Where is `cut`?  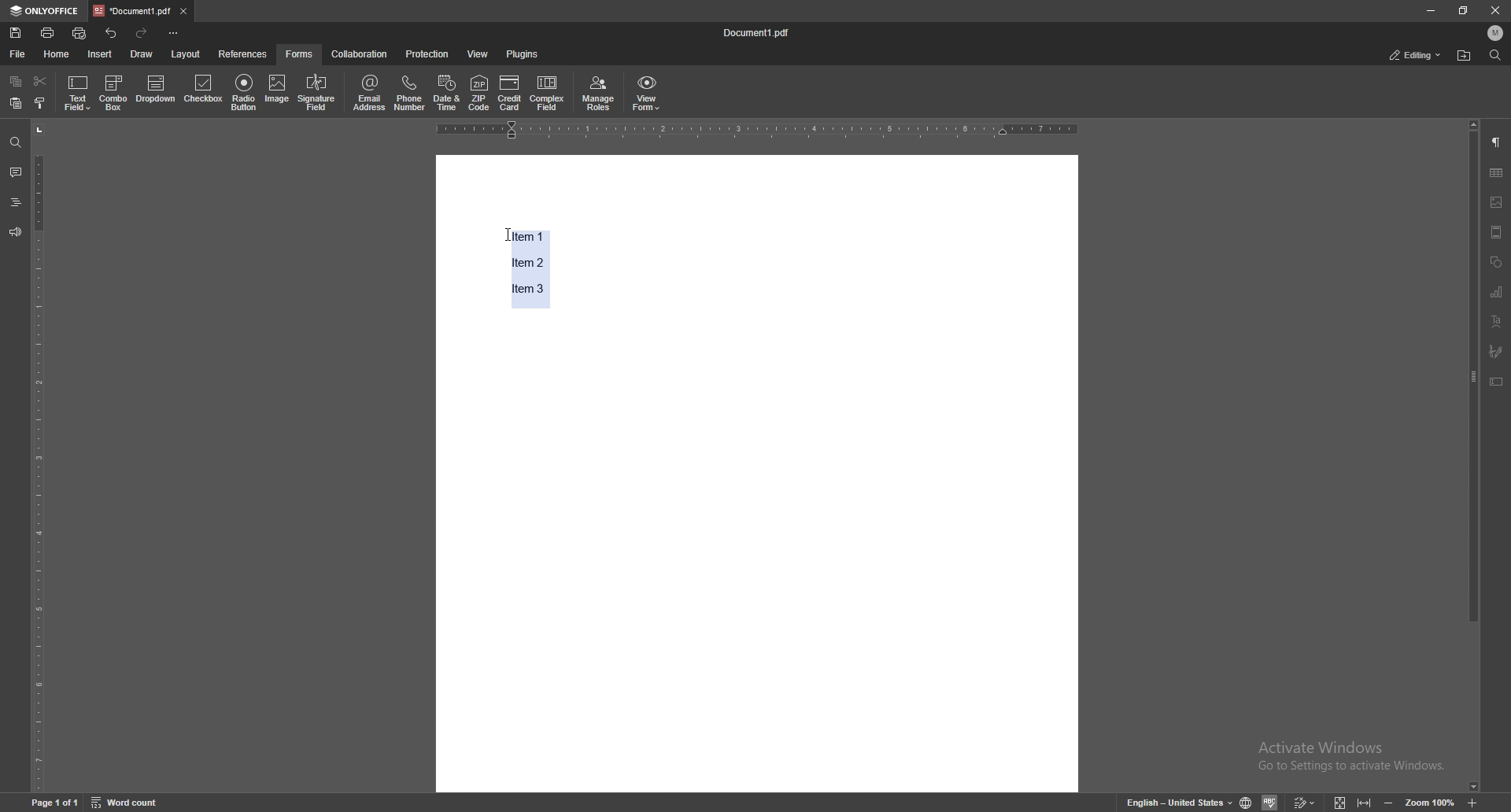 cut is located at coordinates (41, 82).